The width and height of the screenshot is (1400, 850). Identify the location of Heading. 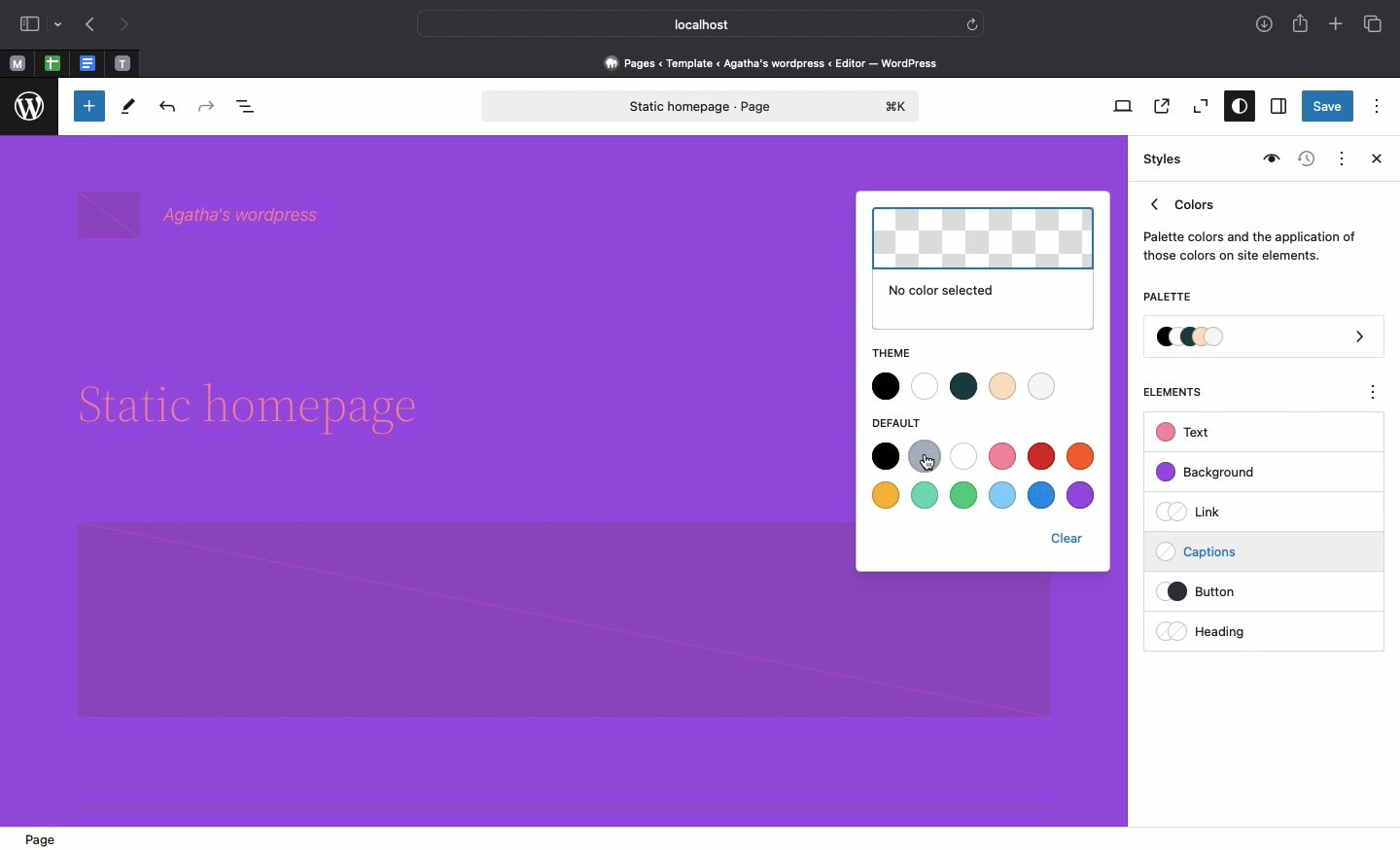
(1206, 631).